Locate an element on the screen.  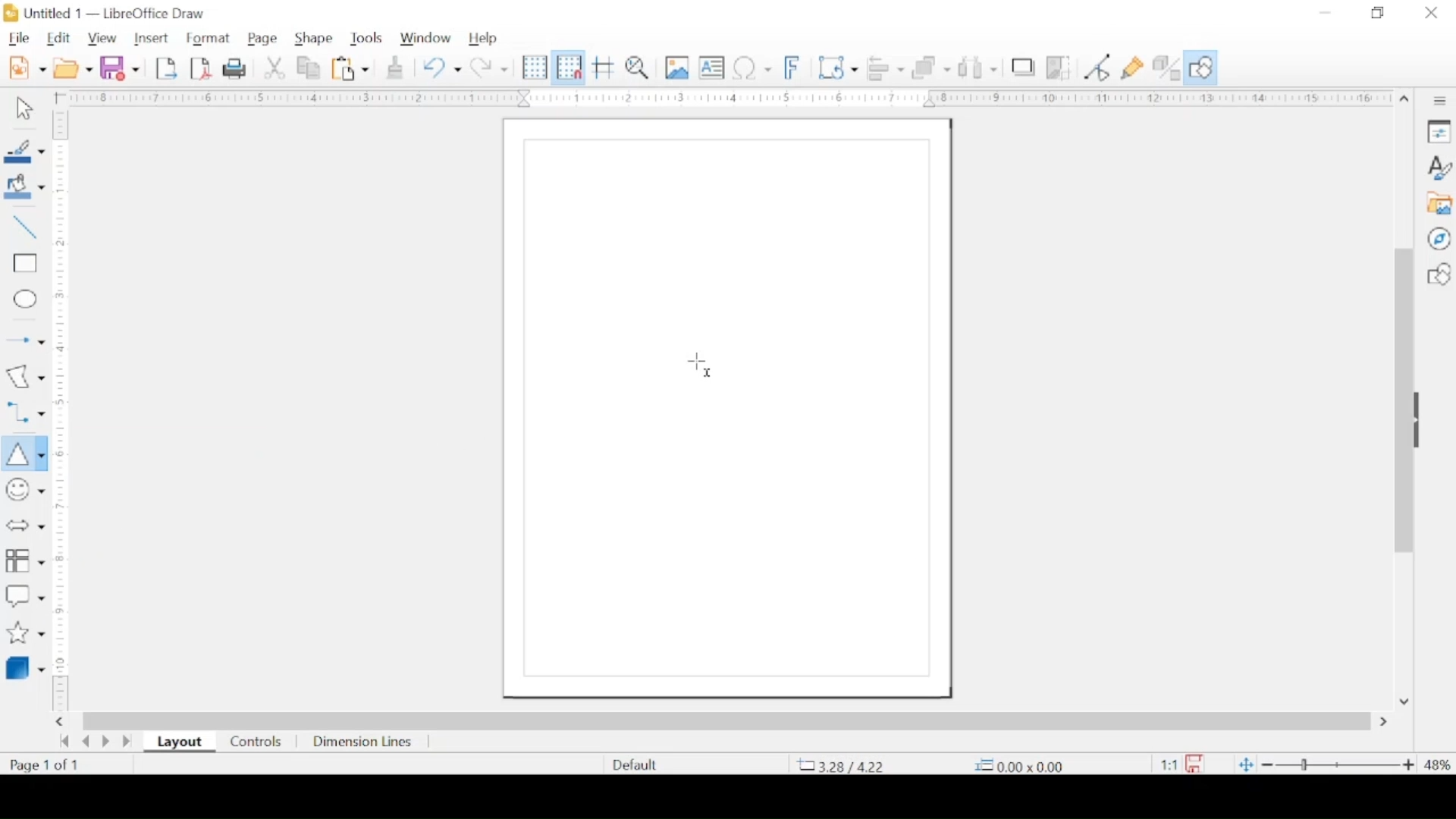
toggle point edit mode is located at coordinates (1097, 67).